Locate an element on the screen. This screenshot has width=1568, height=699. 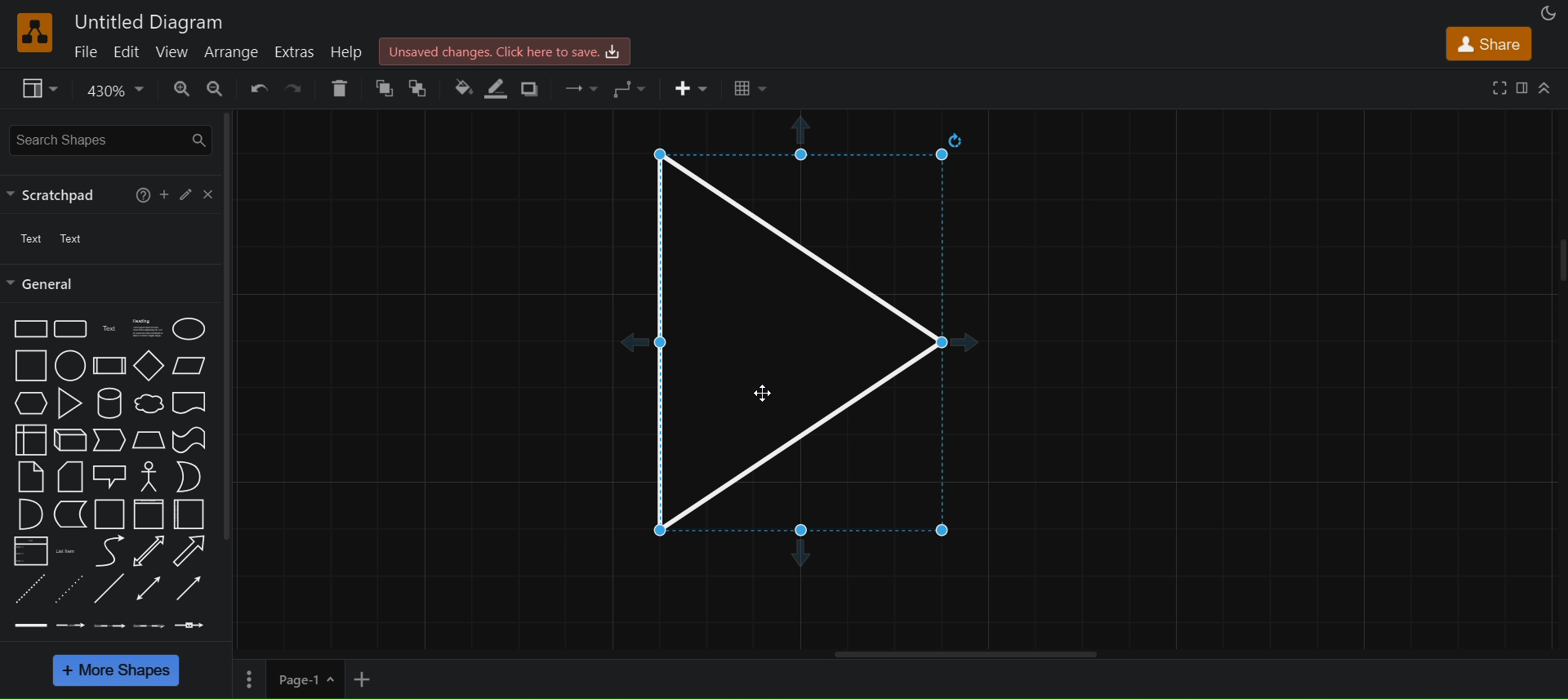
Collapse/Expand is located at coordinates (1545, 87).